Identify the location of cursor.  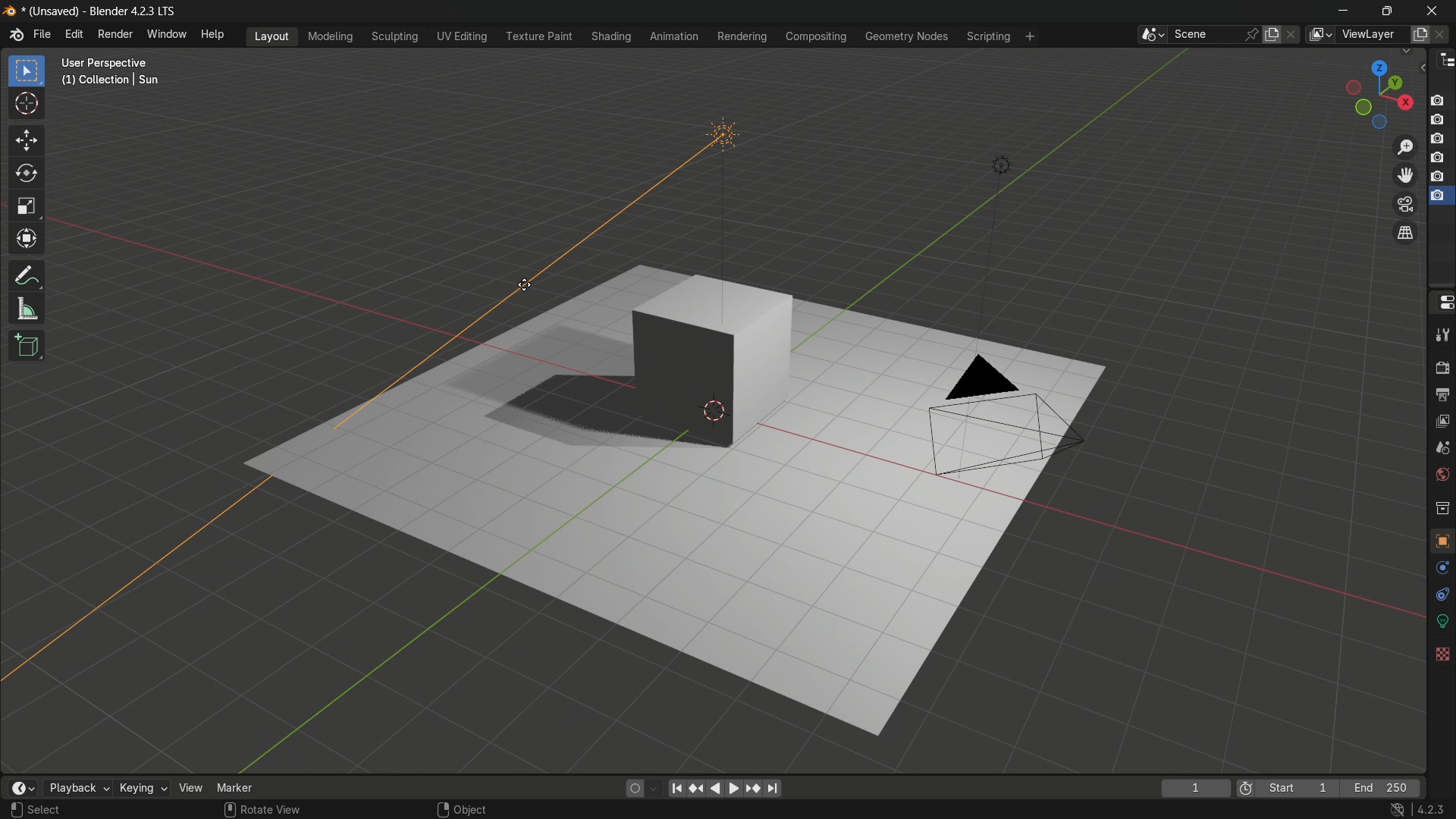
(27, 107).